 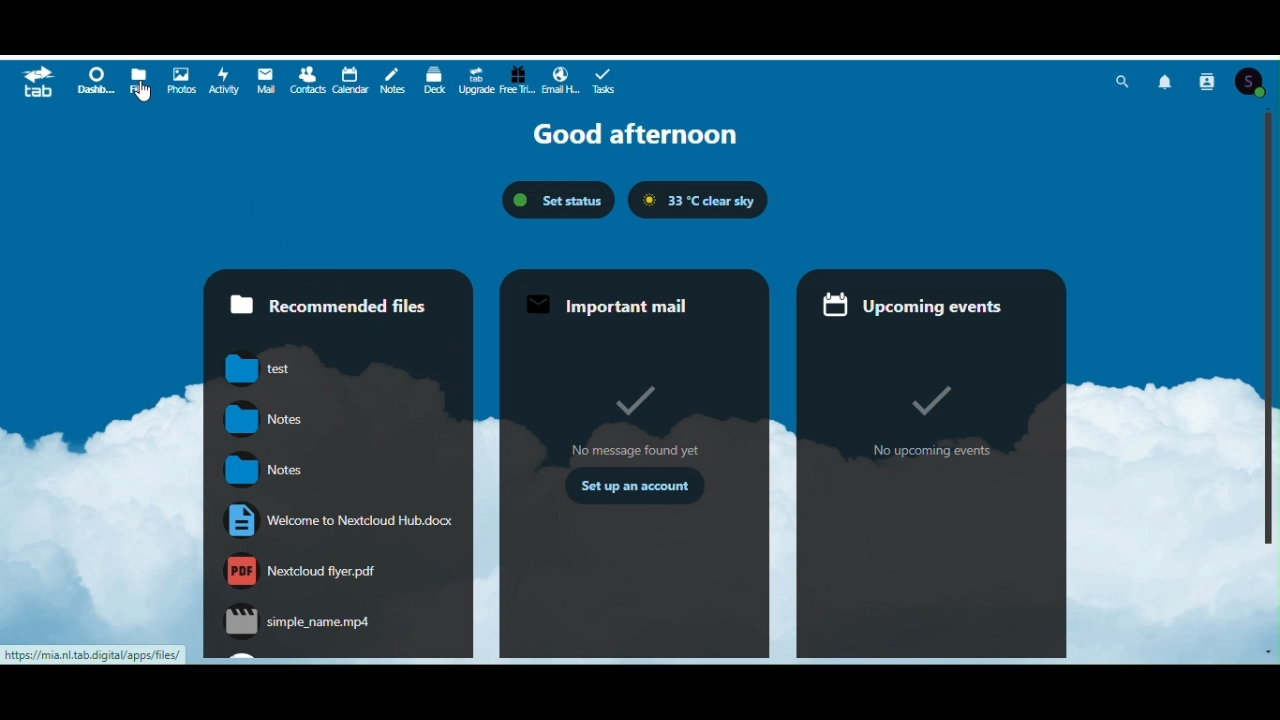 What do you see at coordinates (1210, 79) in the screenshot?
I see `Contacts` at bounding box center [1210, 79].